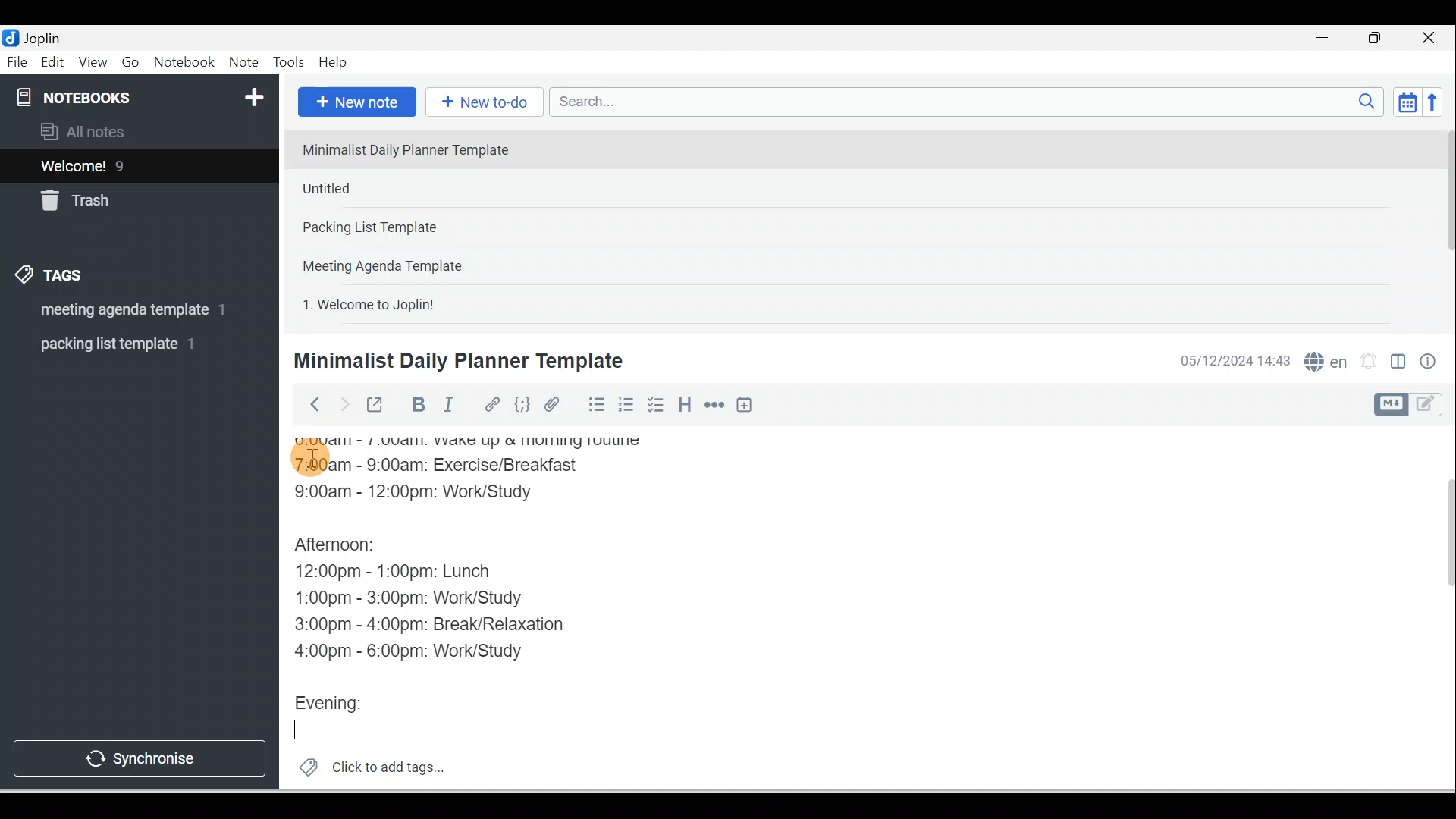 This screenshot has width=1456, height=819. I want to click on 6:00am - 7:00am: Wake up & morning routine, so click(480, 441).